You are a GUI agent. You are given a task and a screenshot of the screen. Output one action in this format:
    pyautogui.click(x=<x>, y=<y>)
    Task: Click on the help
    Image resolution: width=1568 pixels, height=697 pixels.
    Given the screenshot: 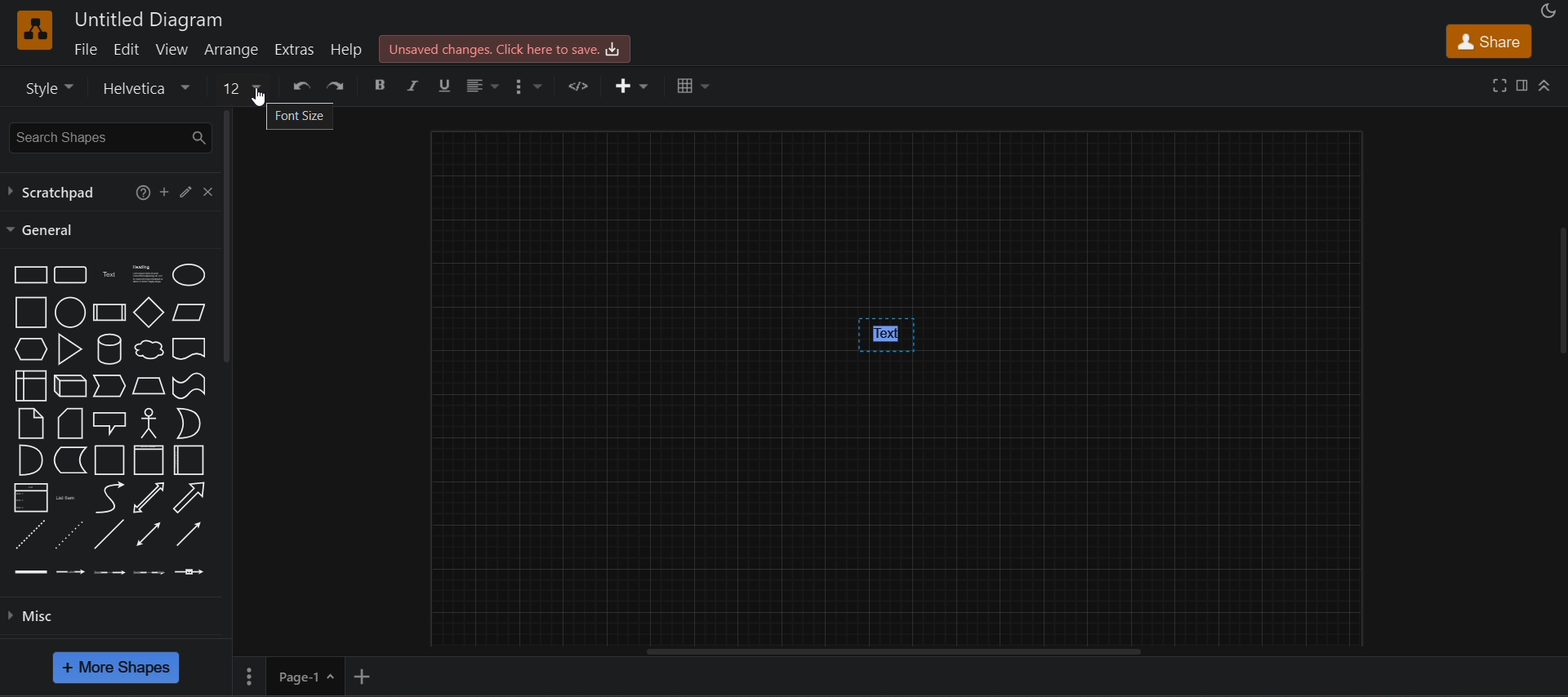 What is the action you would take?
    pyautogui.click(x=346, y=49)
    